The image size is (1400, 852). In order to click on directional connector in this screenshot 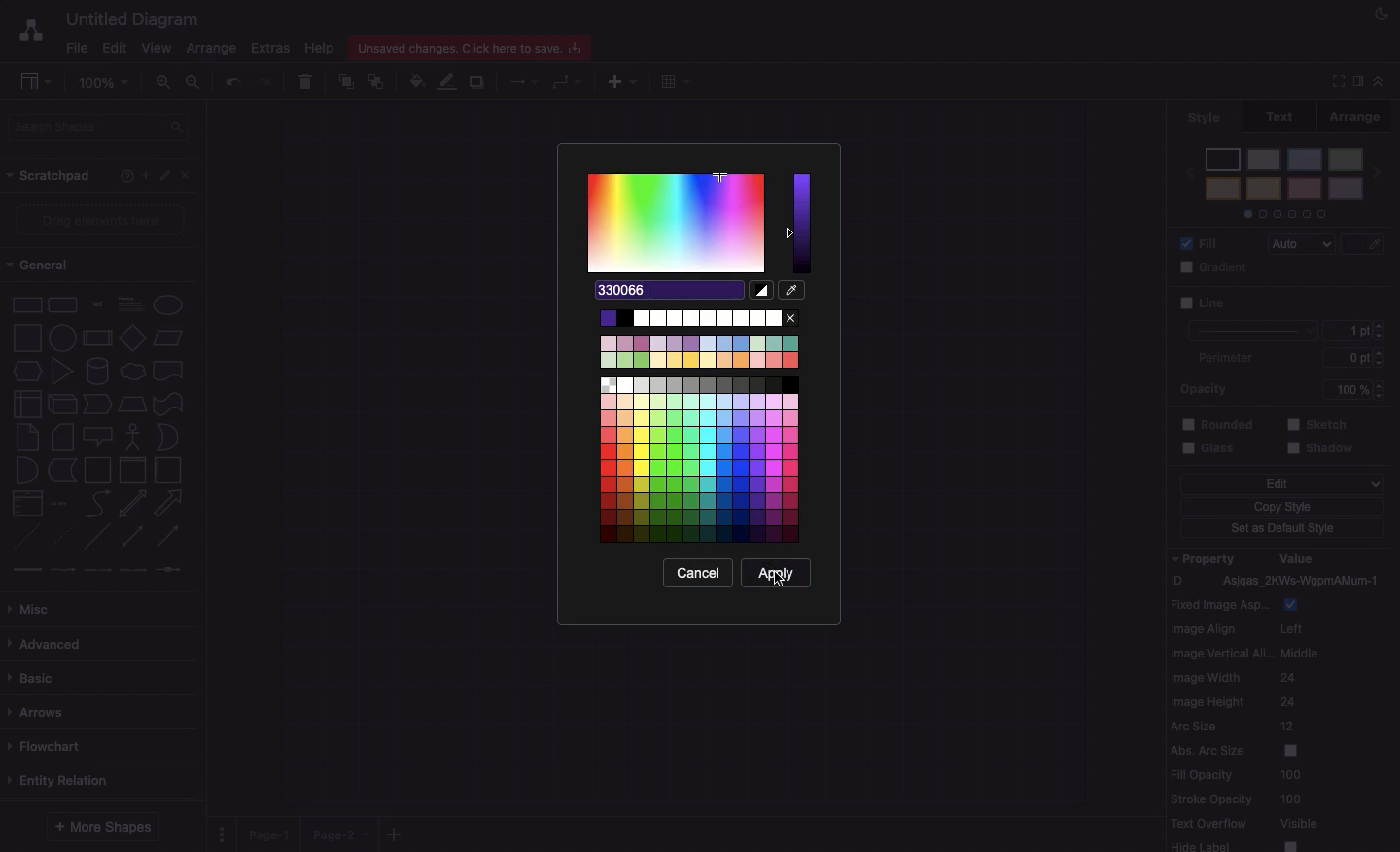, I will do `click(170, 538)`.